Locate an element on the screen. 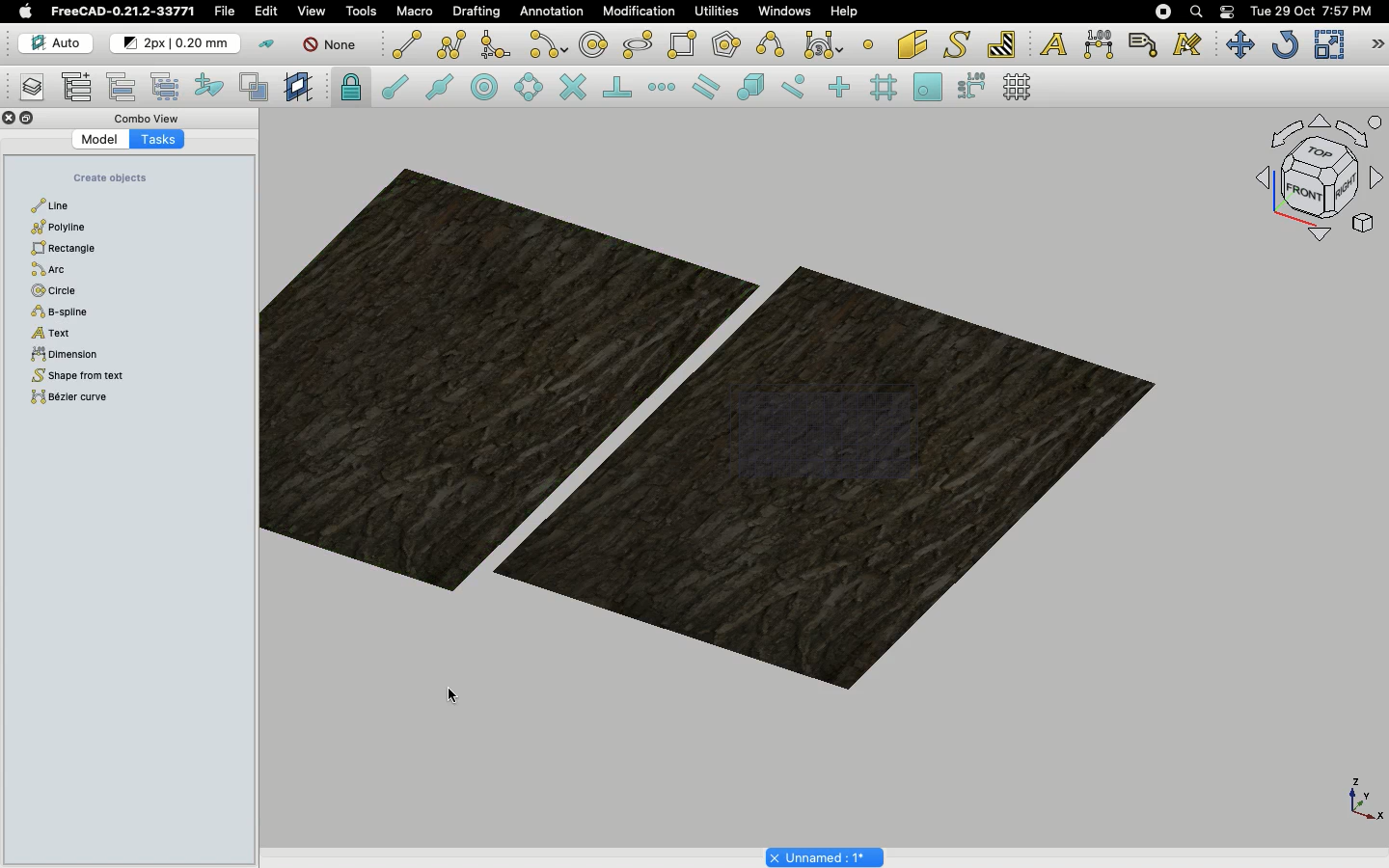 This screenshot has height=868, width=1389. Arc is located at coordinates (68, 268).